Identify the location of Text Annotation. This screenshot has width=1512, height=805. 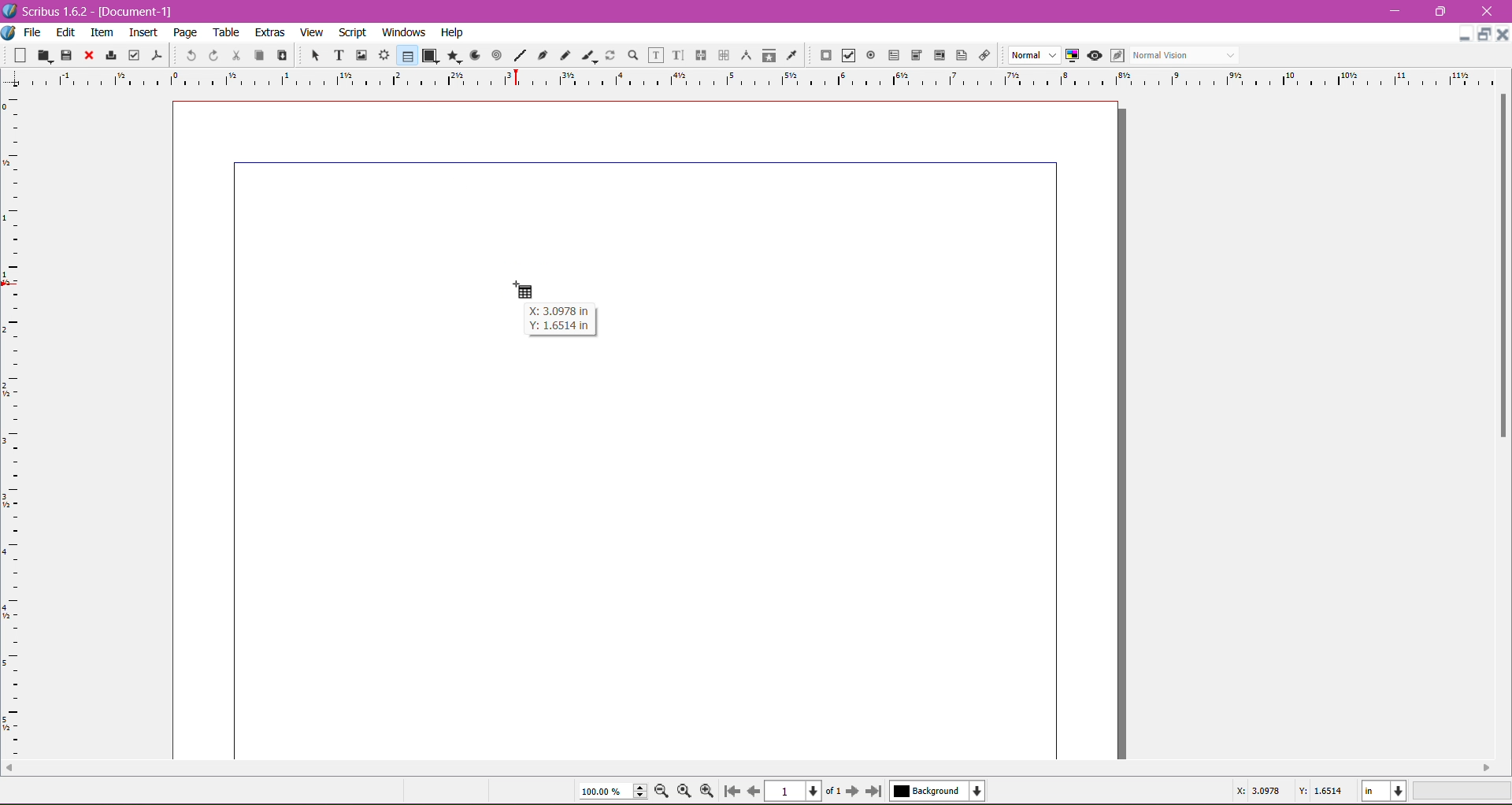
(959, 53).